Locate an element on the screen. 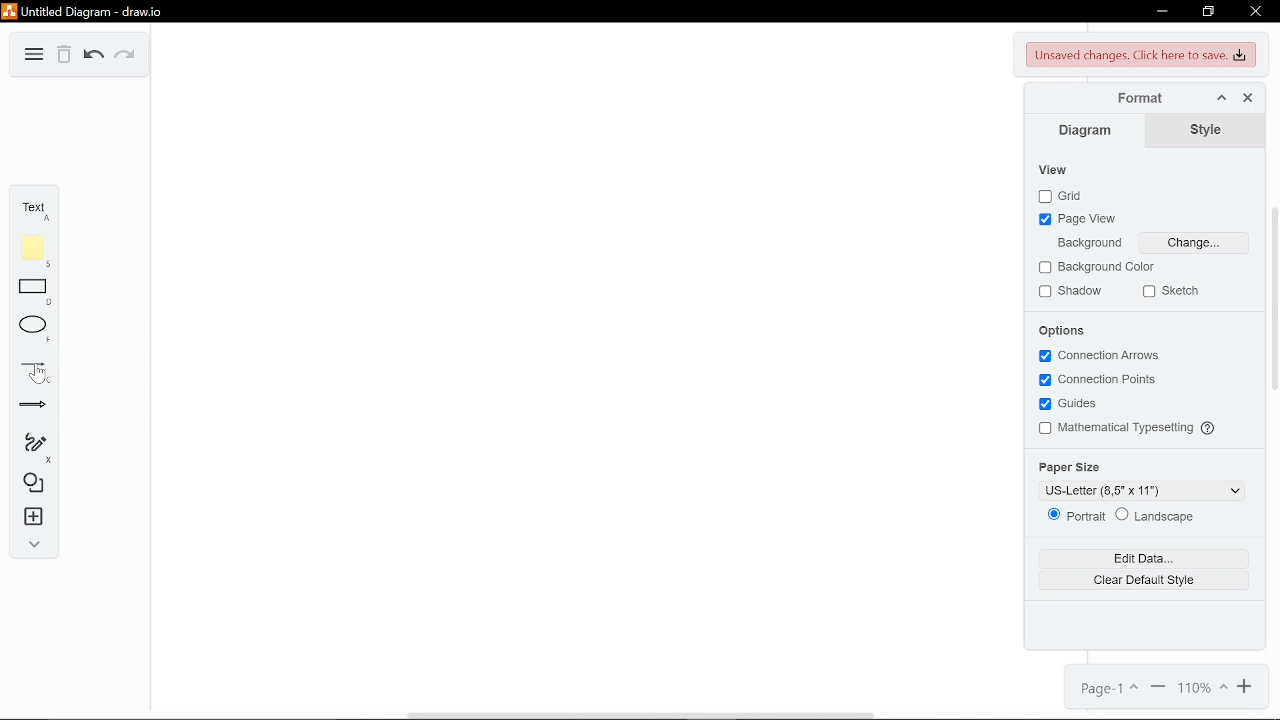  Text is located at coordinates (32, 208).